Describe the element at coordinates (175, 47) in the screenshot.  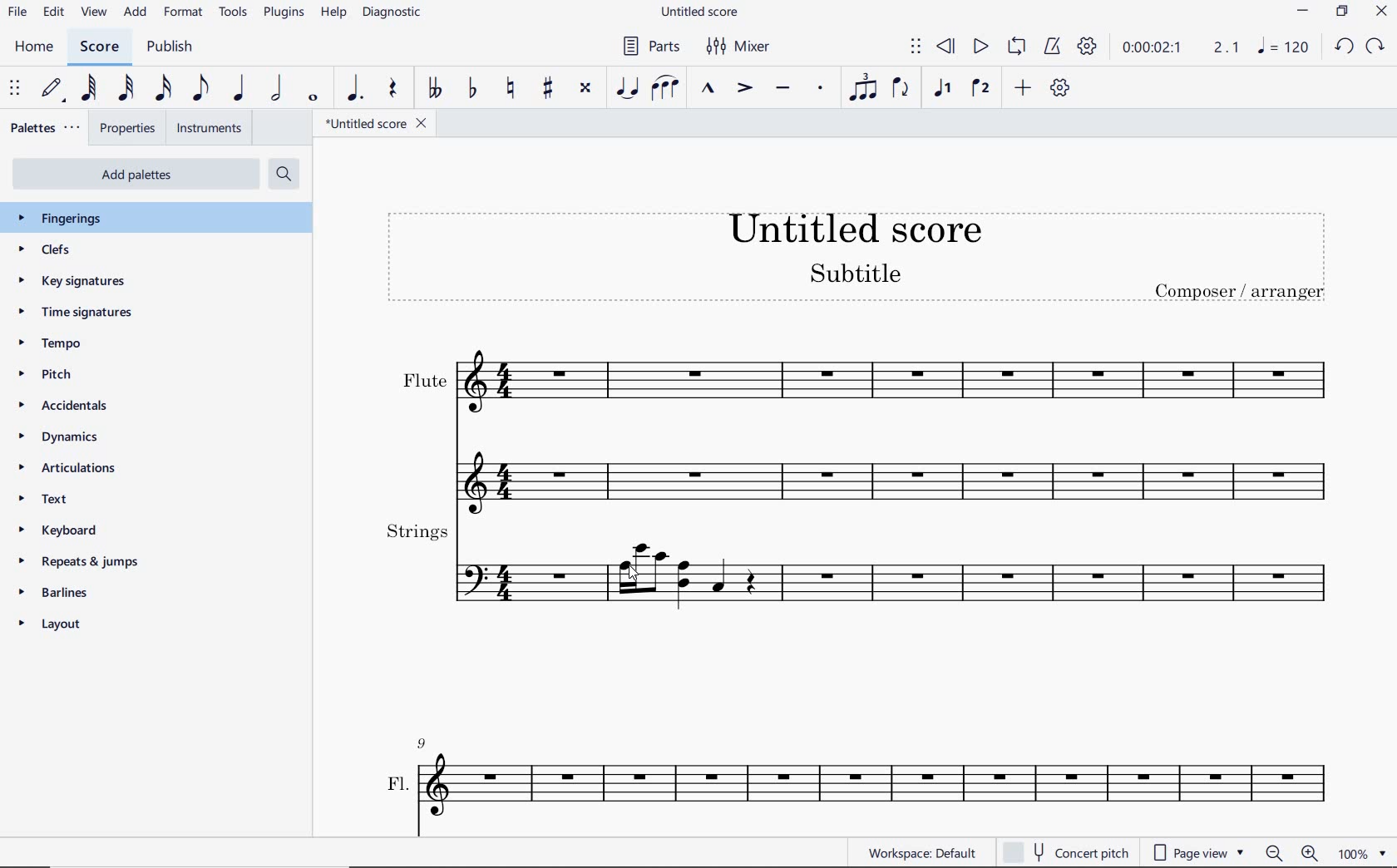
I see `publish` at that location.